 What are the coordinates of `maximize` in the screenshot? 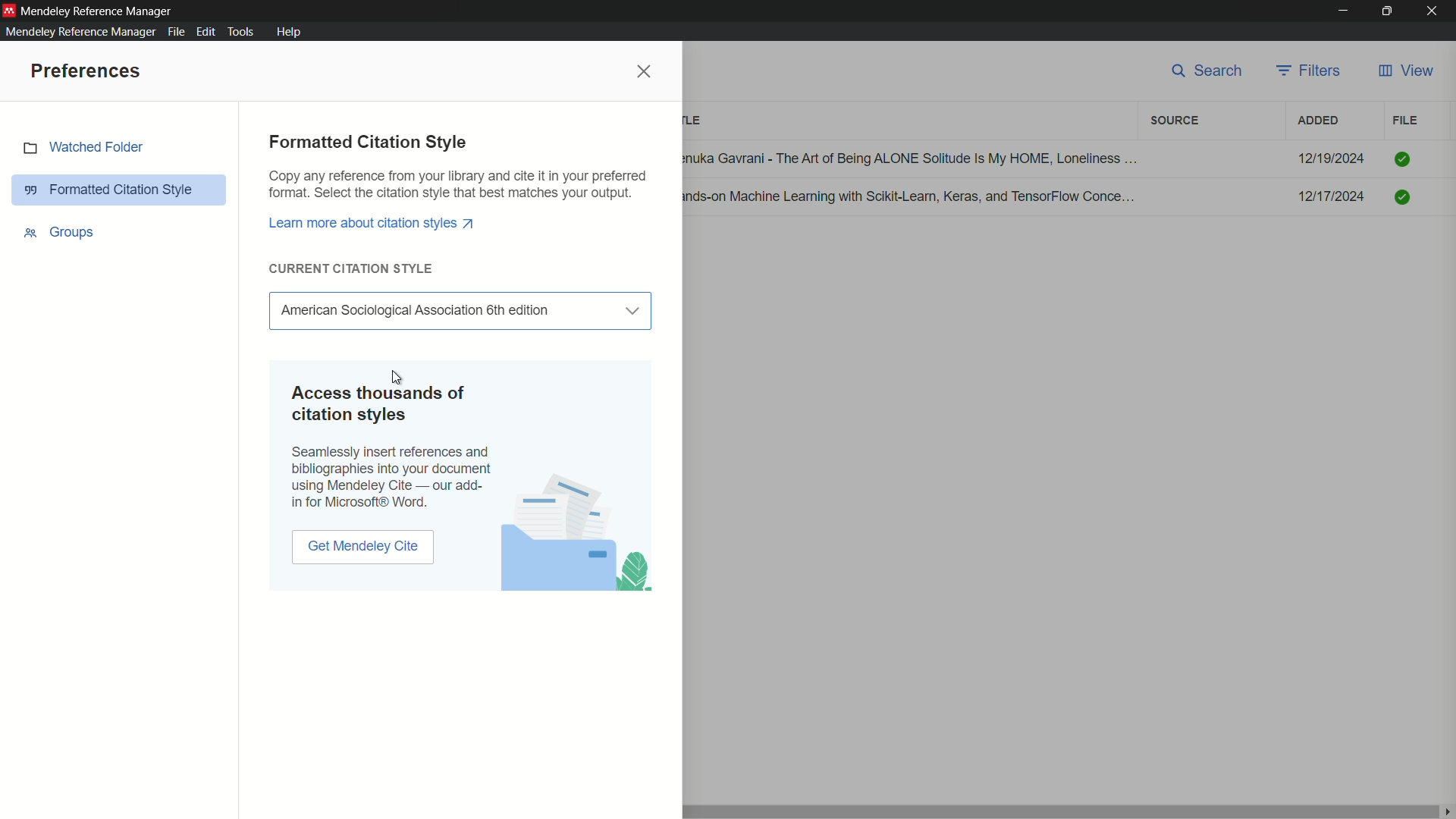 It's located at (1389, 11).